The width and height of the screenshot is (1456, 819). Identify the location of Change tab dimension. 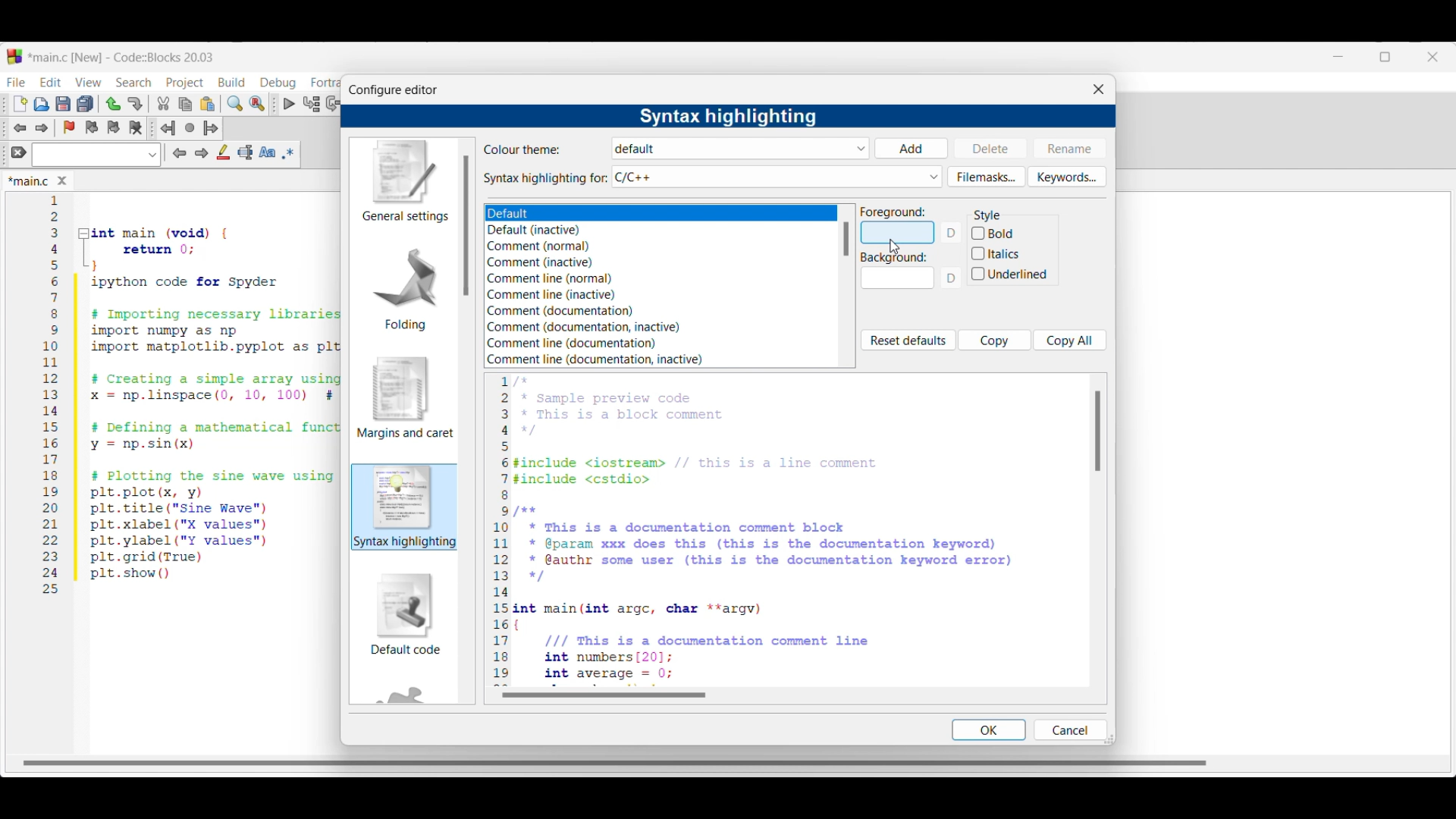
(1385, 57).